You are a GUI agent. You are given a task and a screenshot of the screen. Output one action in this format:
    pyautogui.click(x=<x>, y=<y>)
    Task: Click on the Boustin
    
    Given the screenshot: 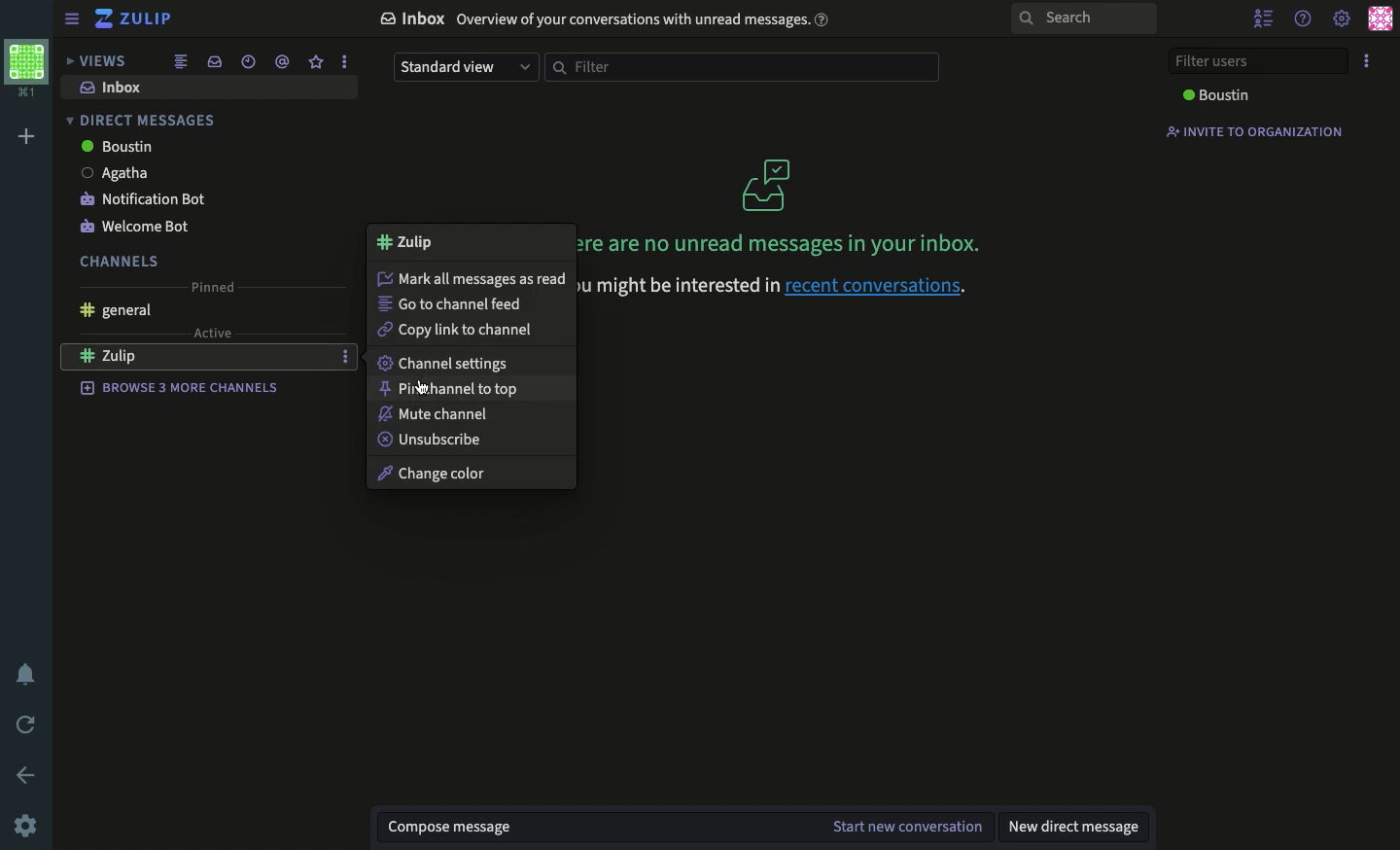 What is the action you would take?
    pyautogui.click(x=118, y=147)
    